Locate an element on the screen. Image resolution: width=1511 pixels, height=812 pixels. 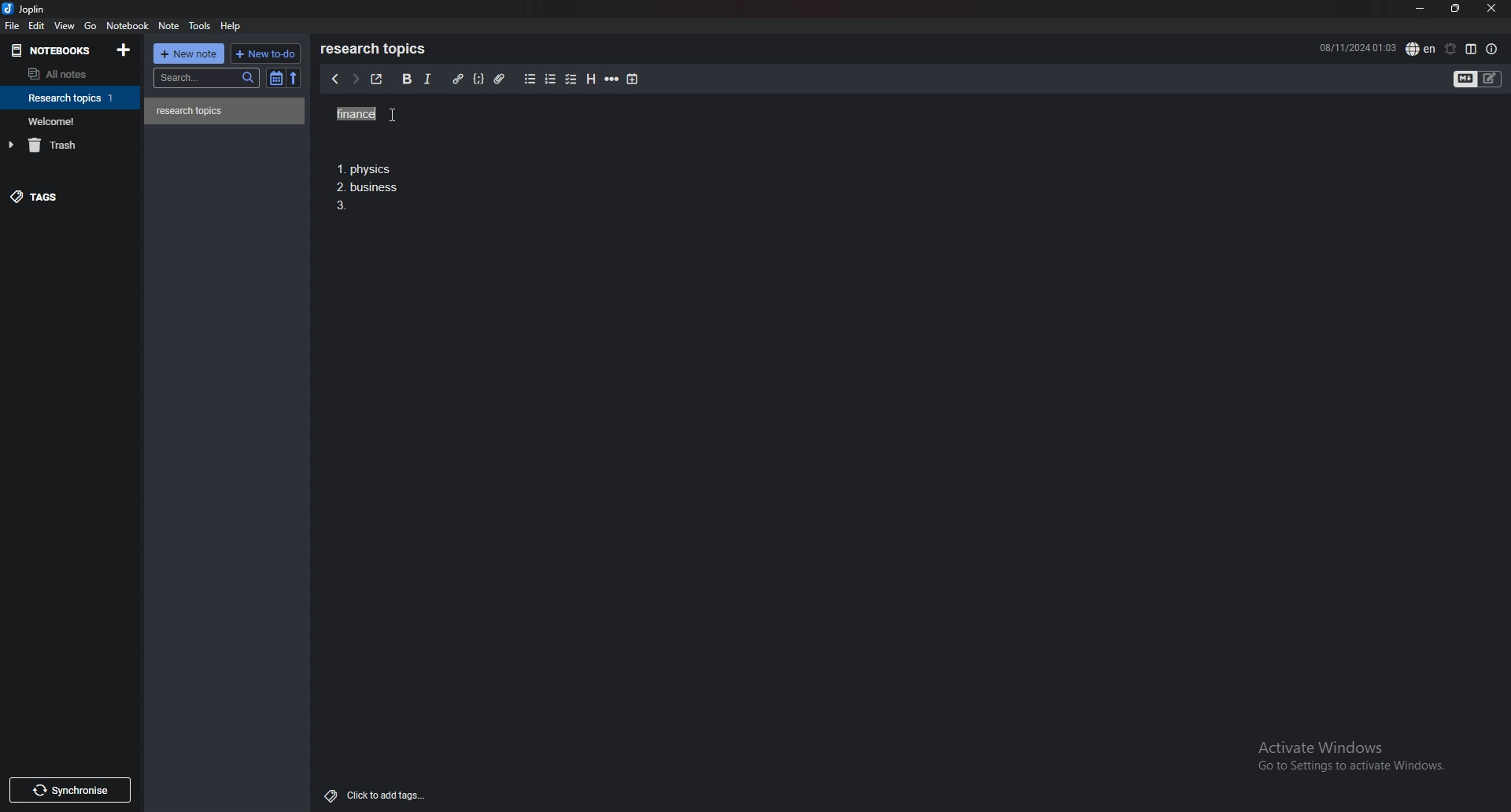
bullet list is located at coordinates (530, 79).